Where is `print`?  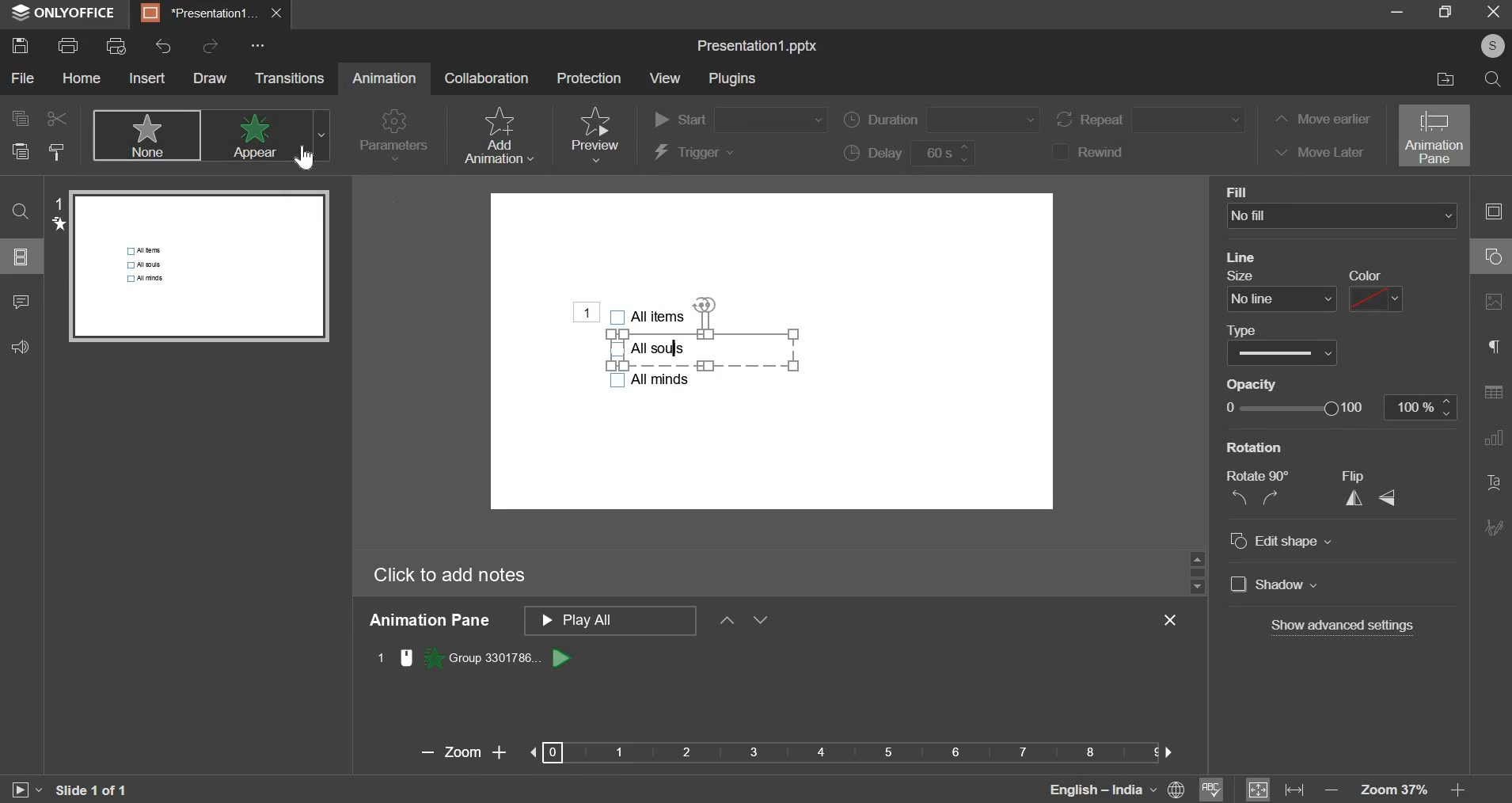
print is located at coordinates (68, 44).